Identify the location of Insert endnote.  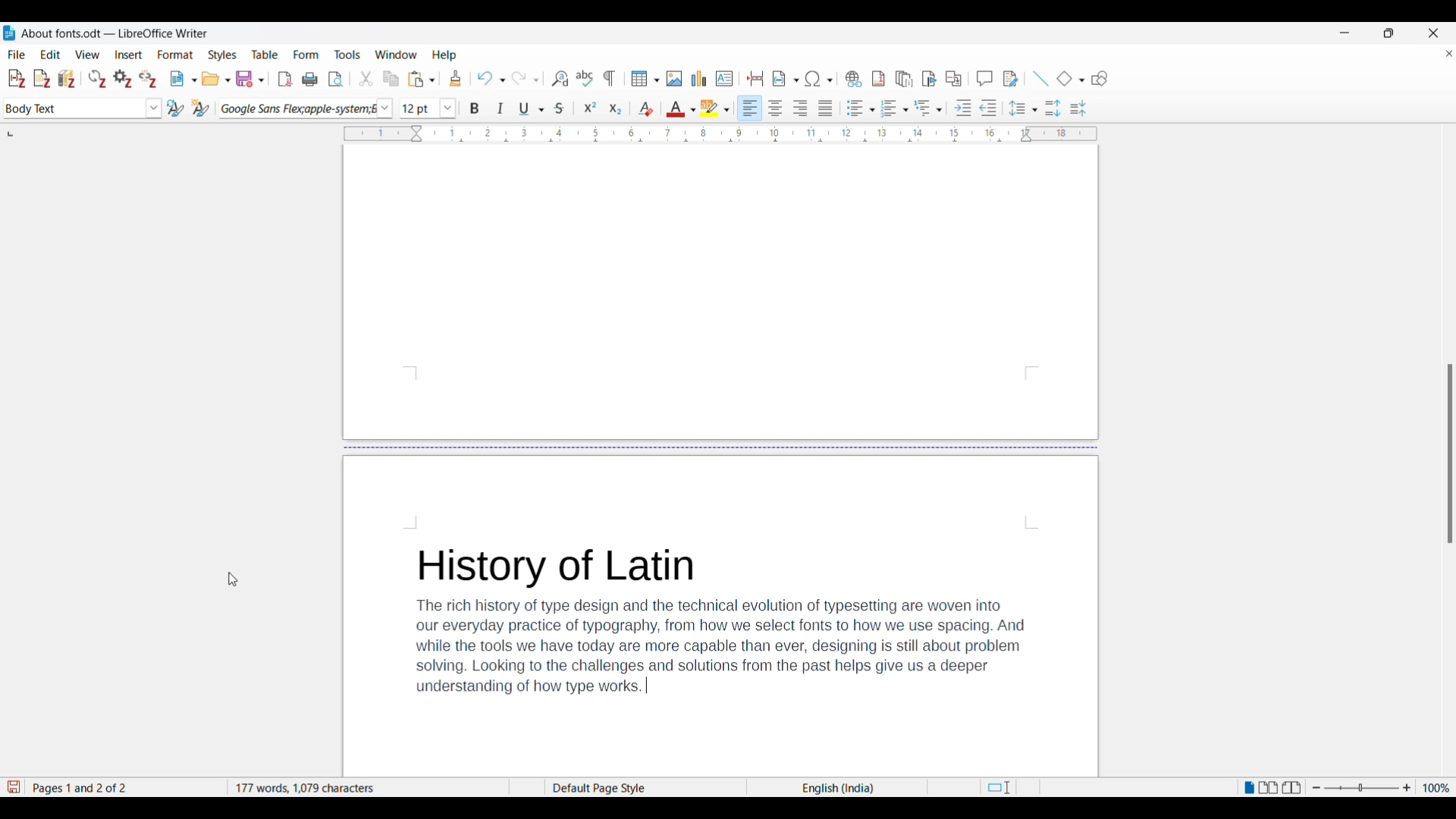
(904, 80).